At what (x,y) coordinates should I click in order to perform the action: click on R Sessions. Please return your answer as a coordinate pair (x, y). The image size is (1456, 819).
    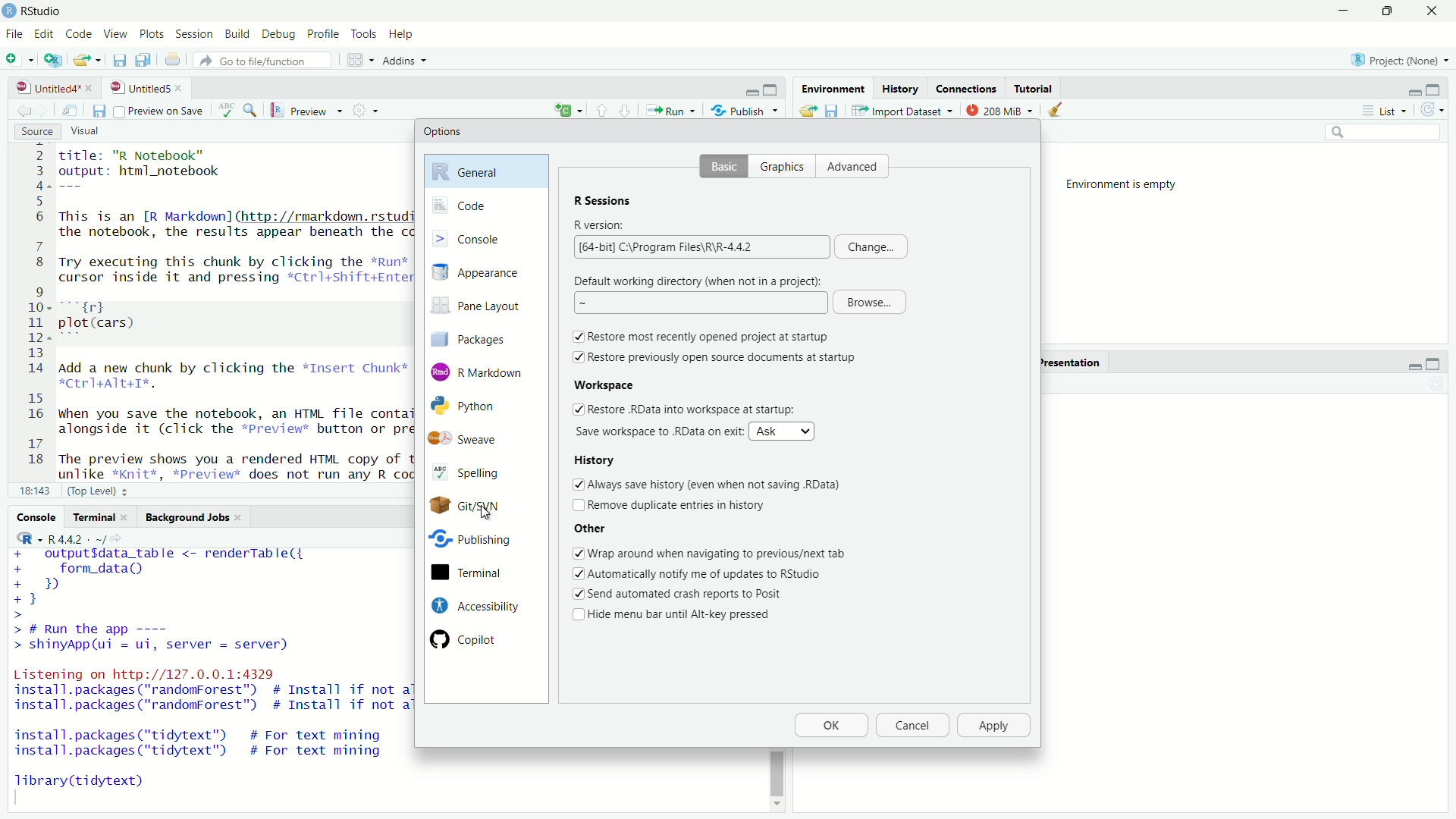
    Looking at the image, I should click on (603, 199).